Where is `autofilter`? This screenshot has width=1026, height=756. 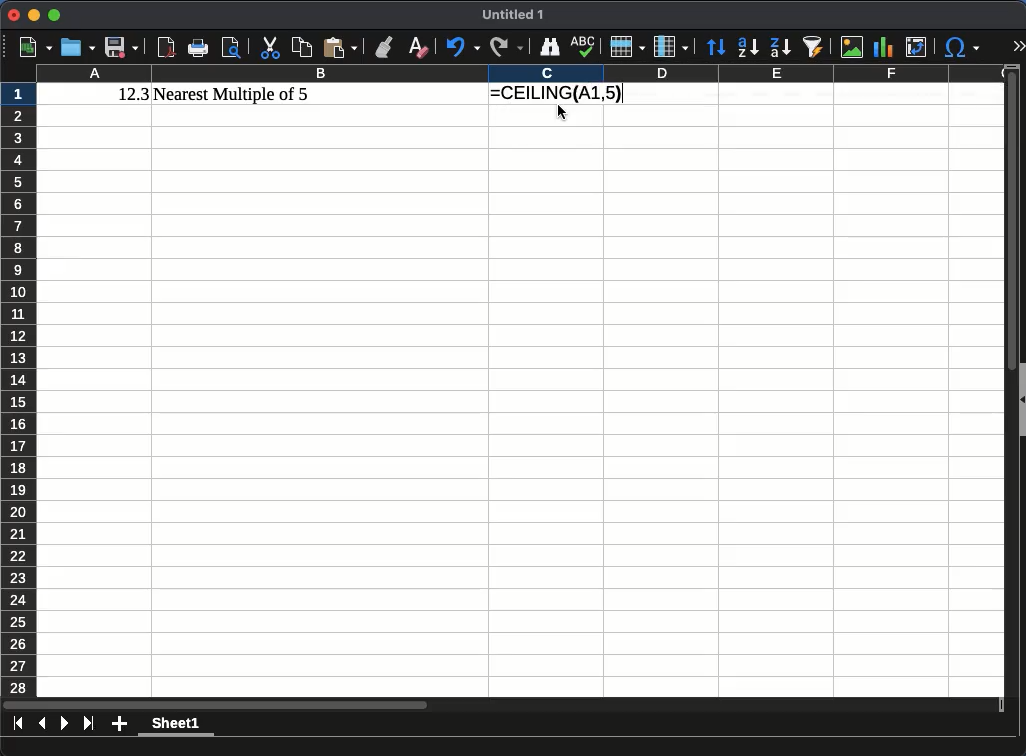 autofilter is located at coordinates (812, 46).